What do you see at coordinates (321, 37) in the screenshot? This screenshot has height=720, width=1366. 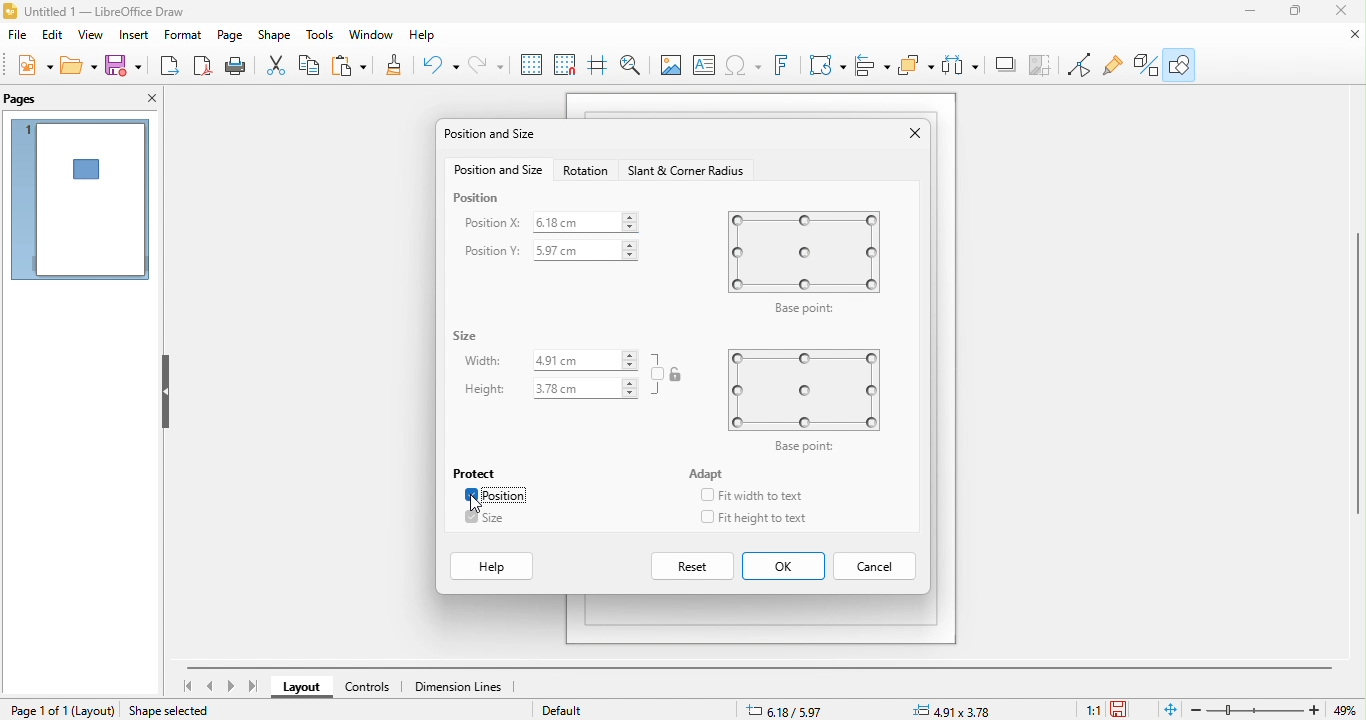 I see `tools` at bounding box center [321, 37].